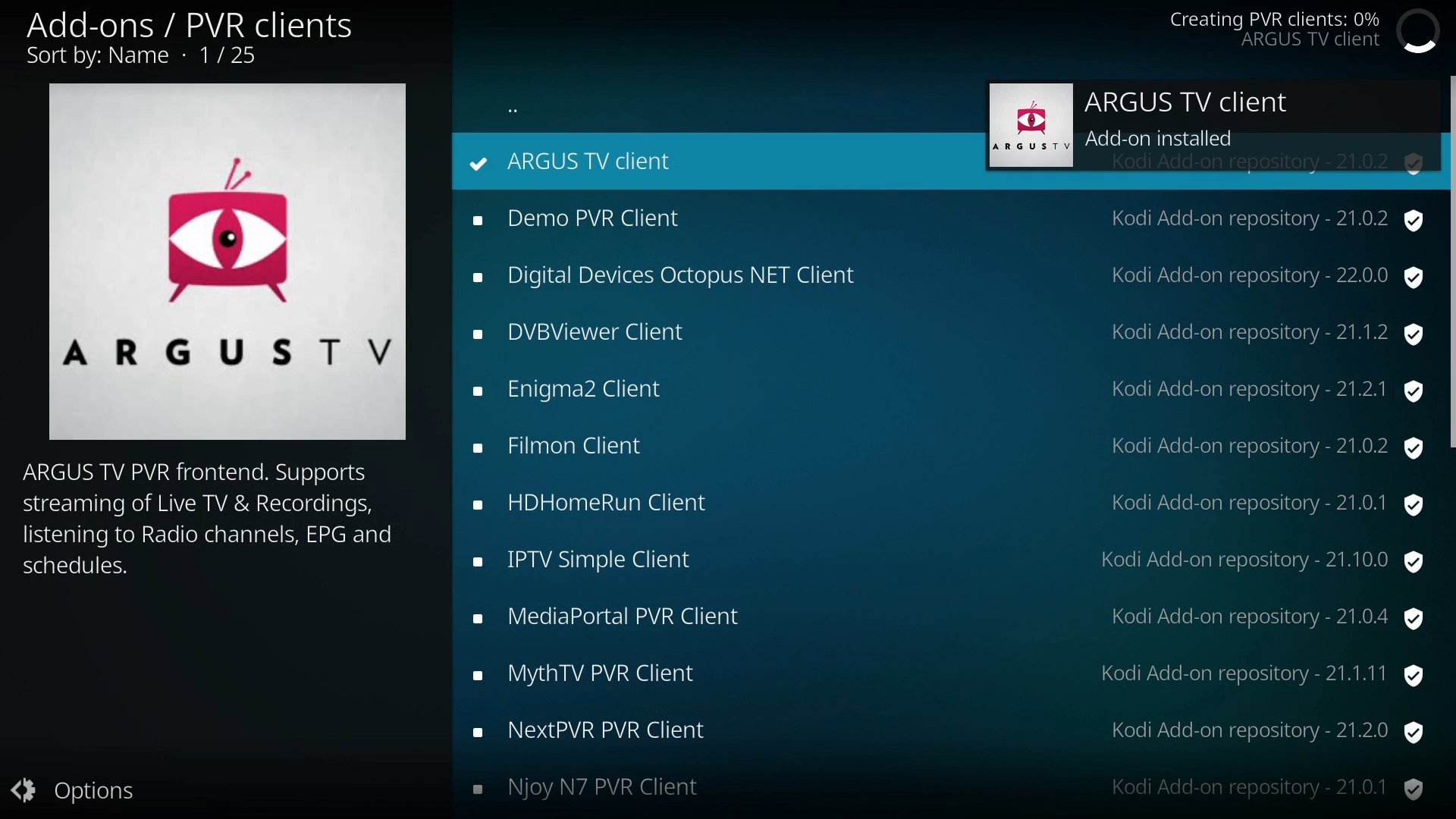  What do you see at coordinates (954, 217) in the screenshot?
I see `Demo PVR Client Kodi Add-on repository - 21.0.2` at bounding box center [954, 217].